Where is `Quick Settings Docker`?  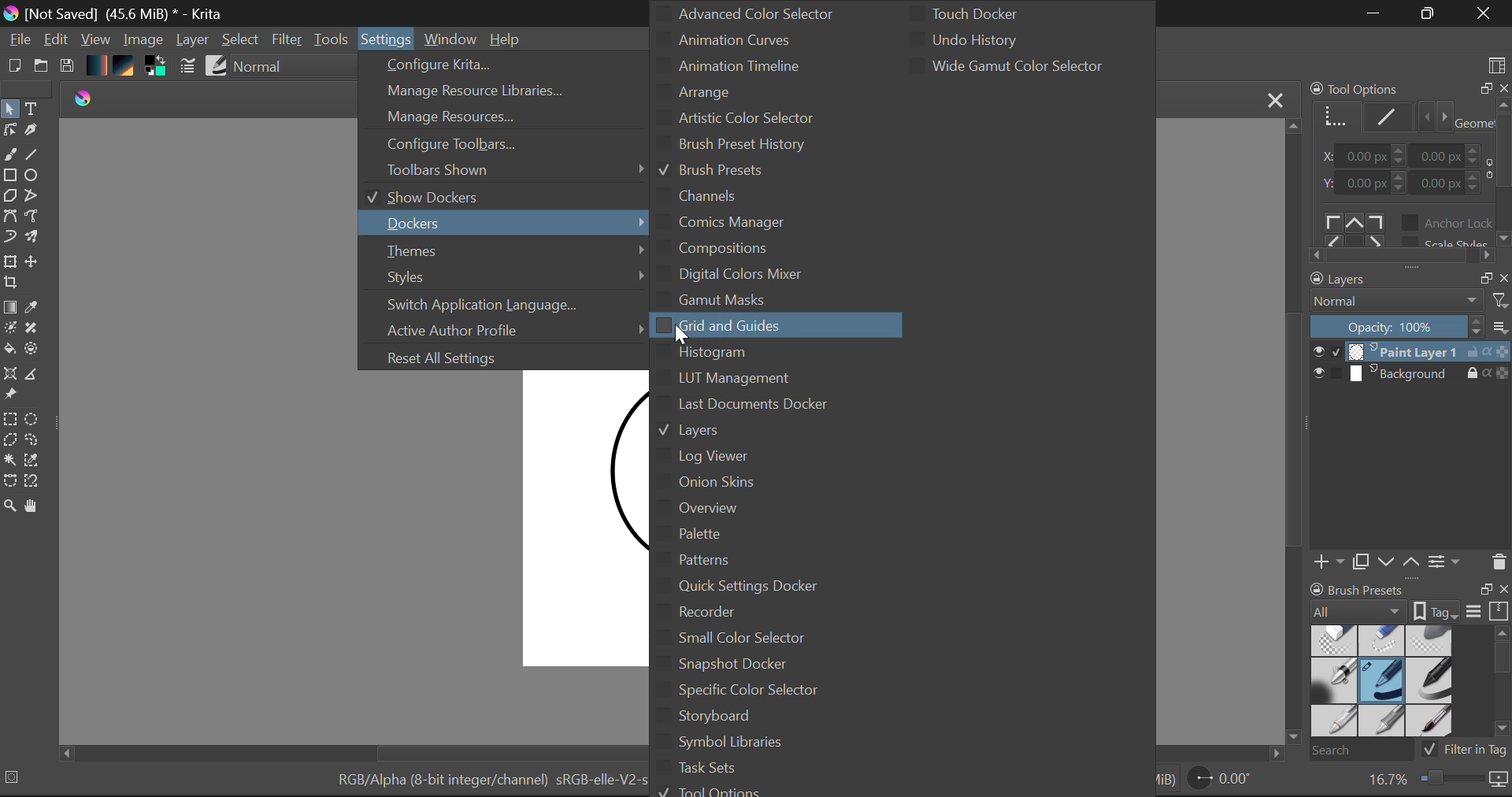
Quick Settings Docker is located at coordinates (765, 588).